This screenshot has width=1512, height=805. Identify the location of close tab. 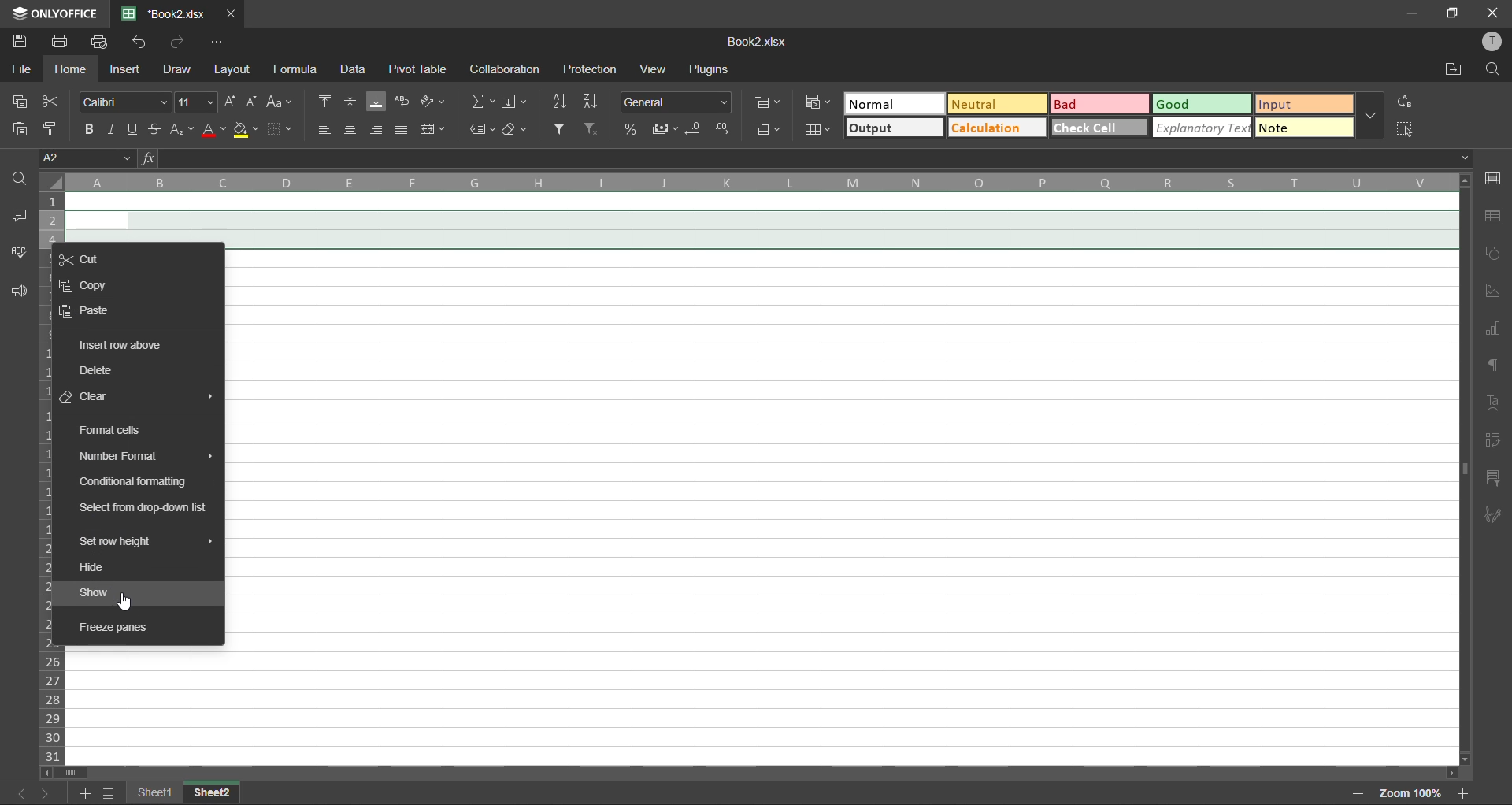
(233, 13).